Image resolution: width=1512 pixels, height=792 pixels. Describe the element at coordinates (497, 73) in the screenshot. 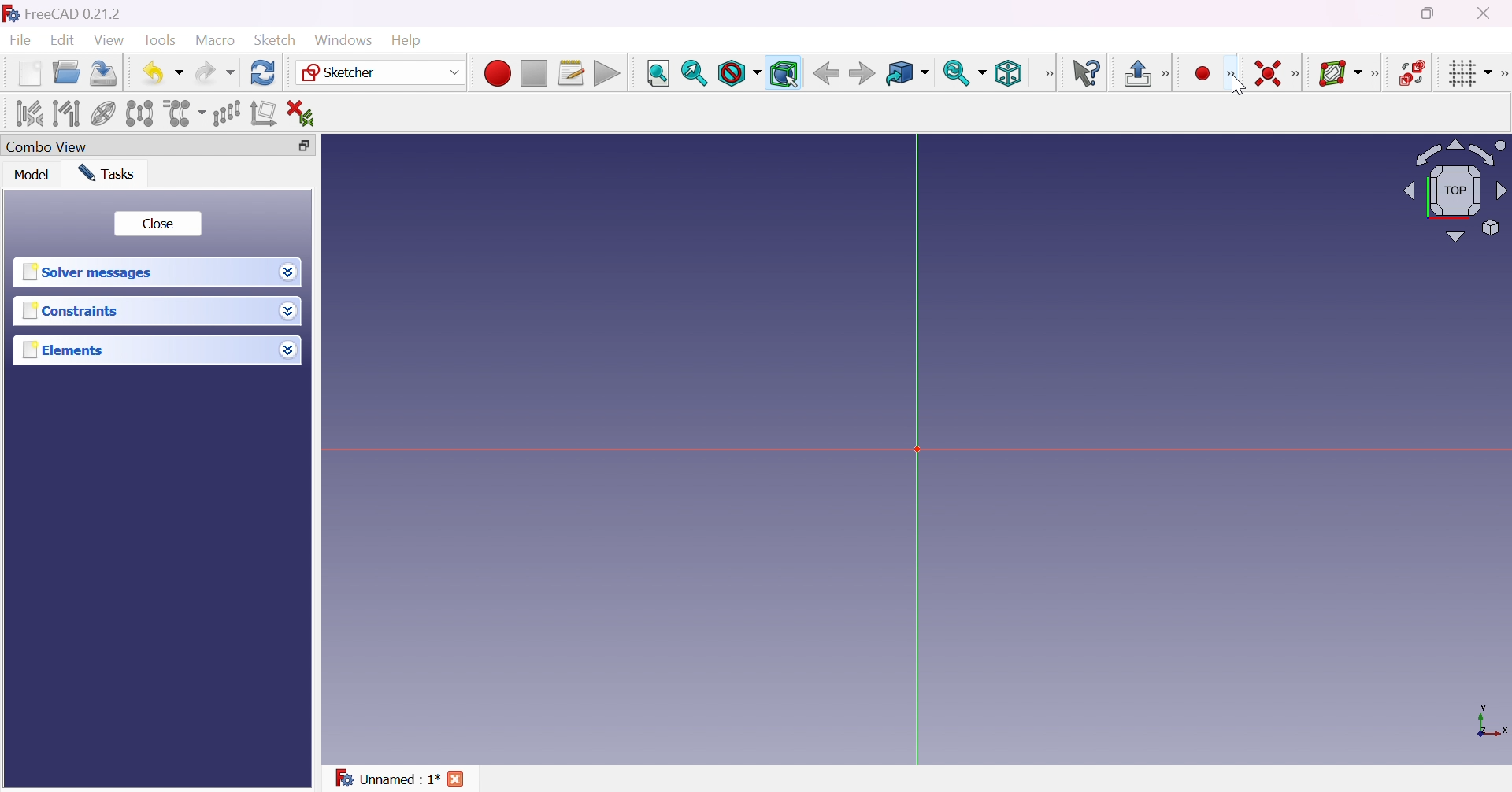

I see `Macro recording...` at that location.